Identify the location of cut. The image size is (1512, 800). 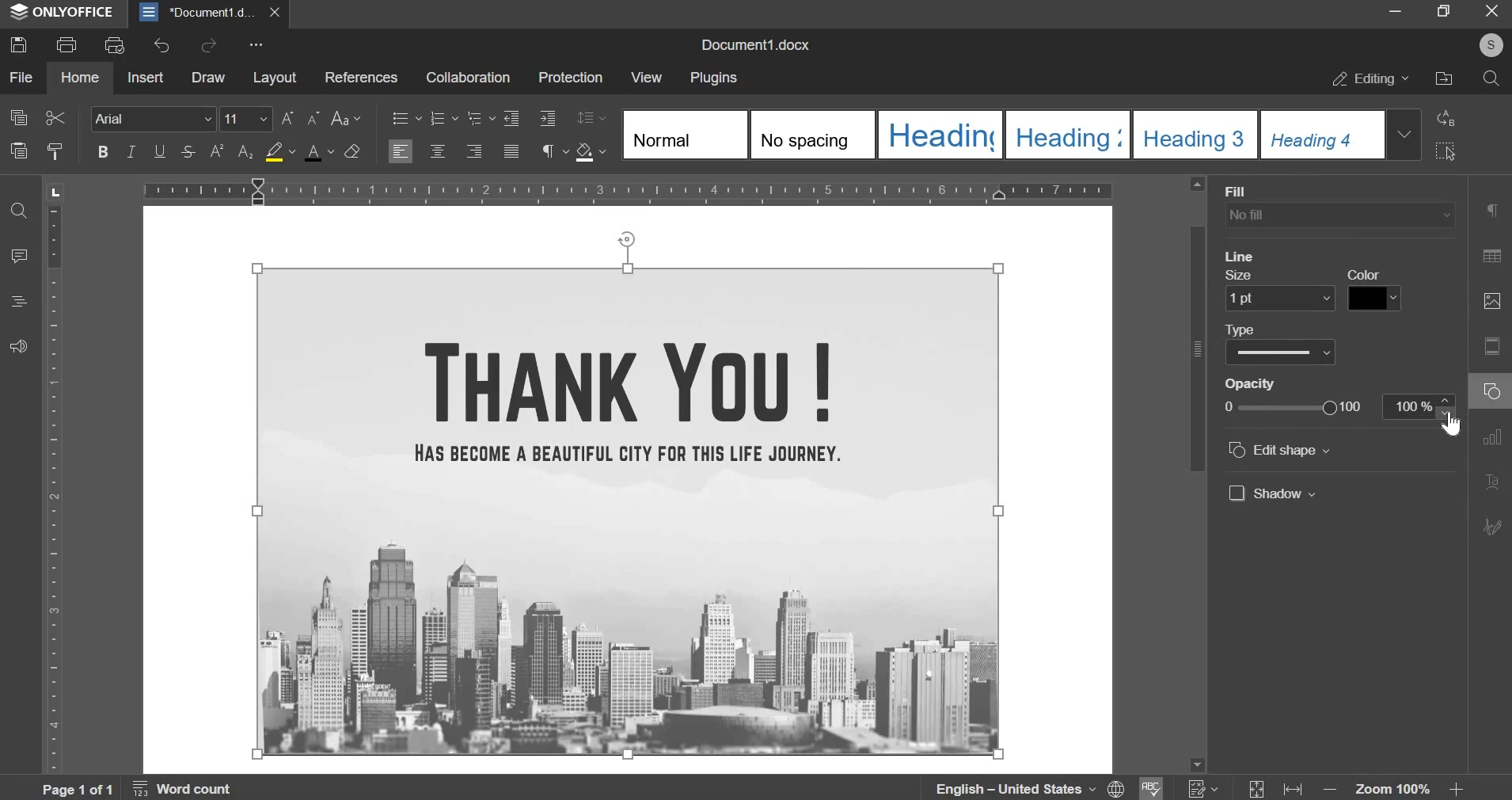
(55, 118).